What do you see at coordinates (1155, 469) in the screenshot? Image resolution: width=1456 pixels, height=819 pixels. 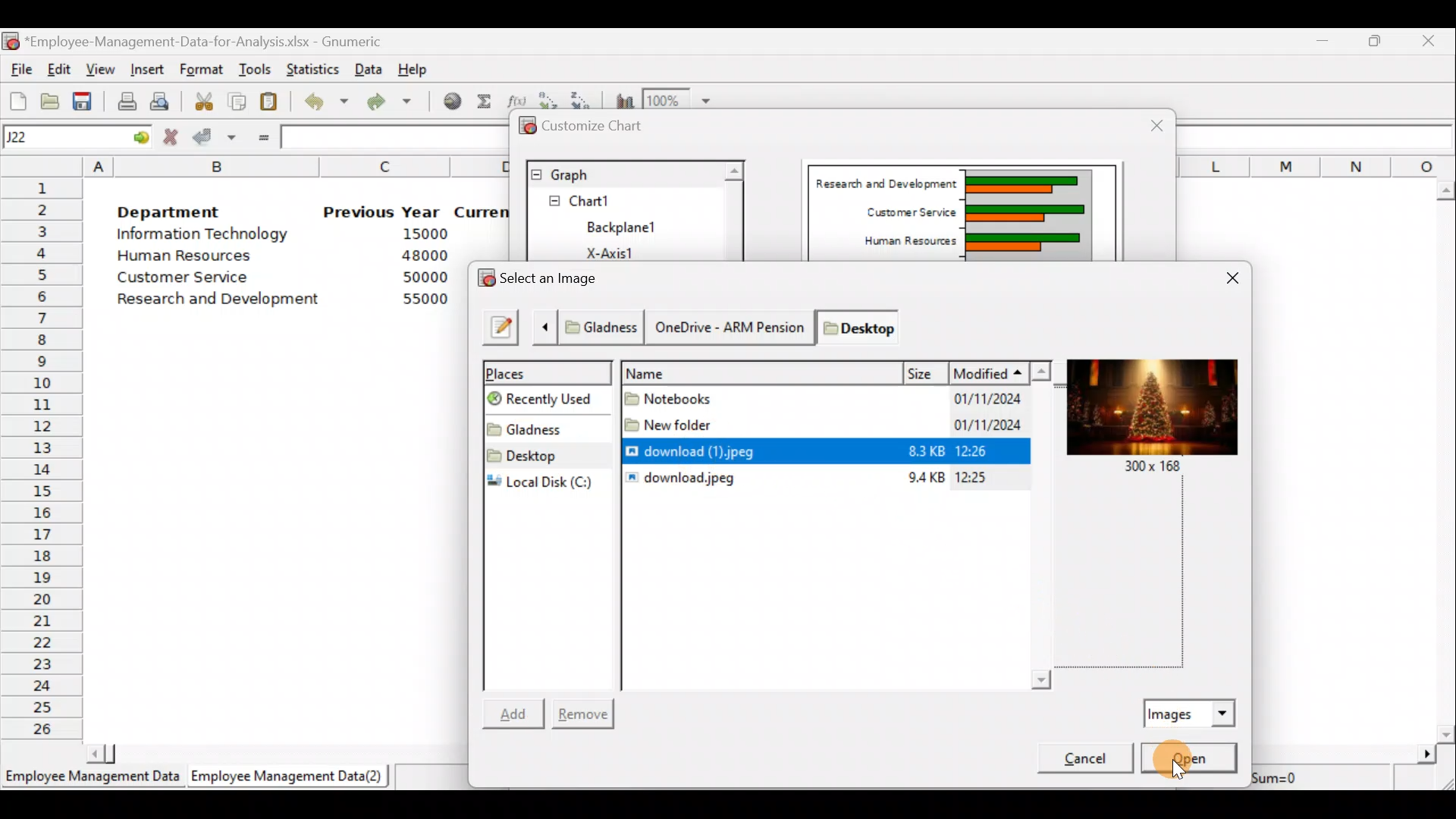 I see `30x 168` at bounding box center [1155, 469].